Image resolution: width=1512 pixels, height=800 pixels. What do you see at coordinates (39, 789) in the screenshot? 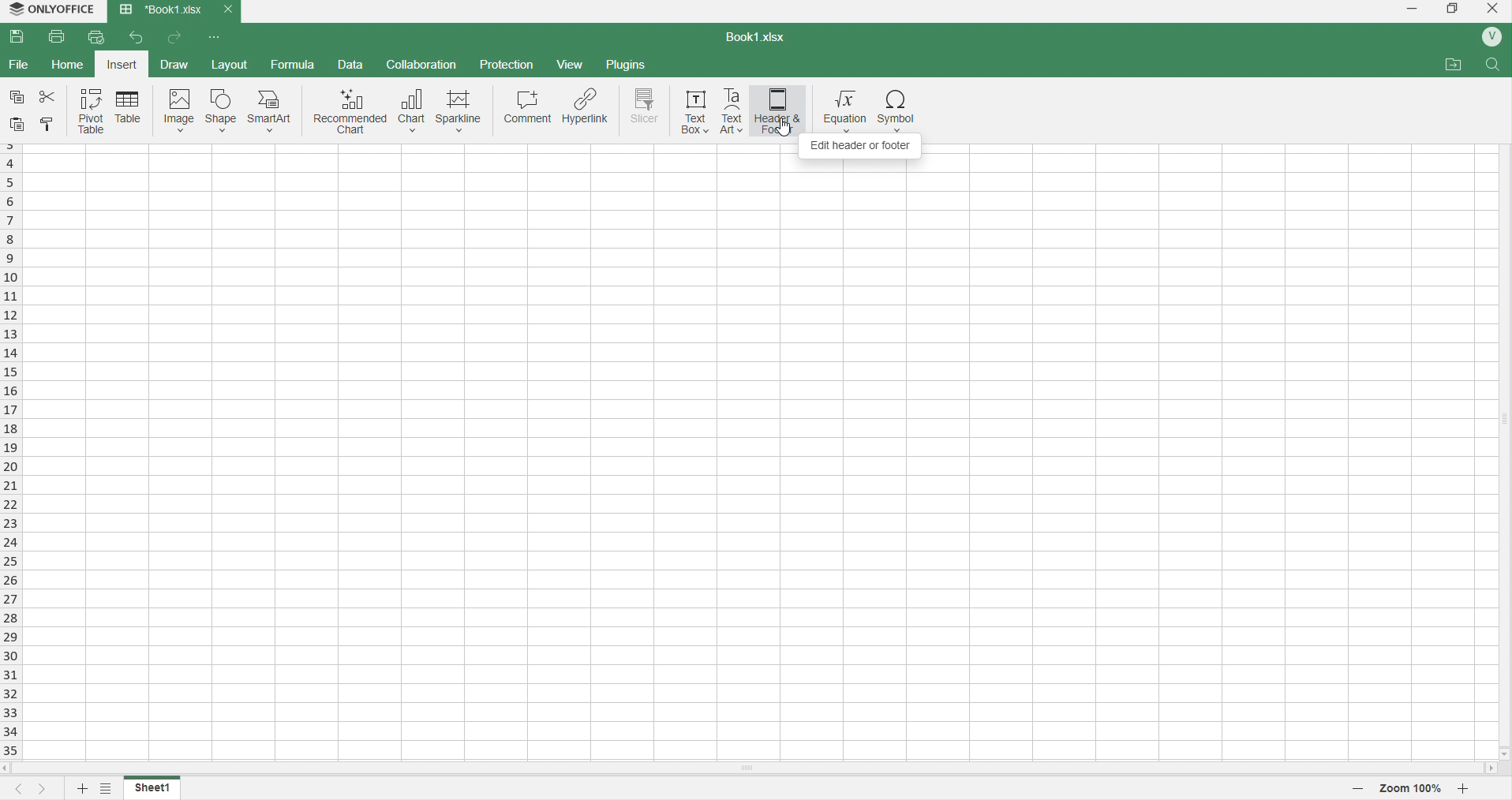
I see `next sheet` at bounding box center [39, 789].